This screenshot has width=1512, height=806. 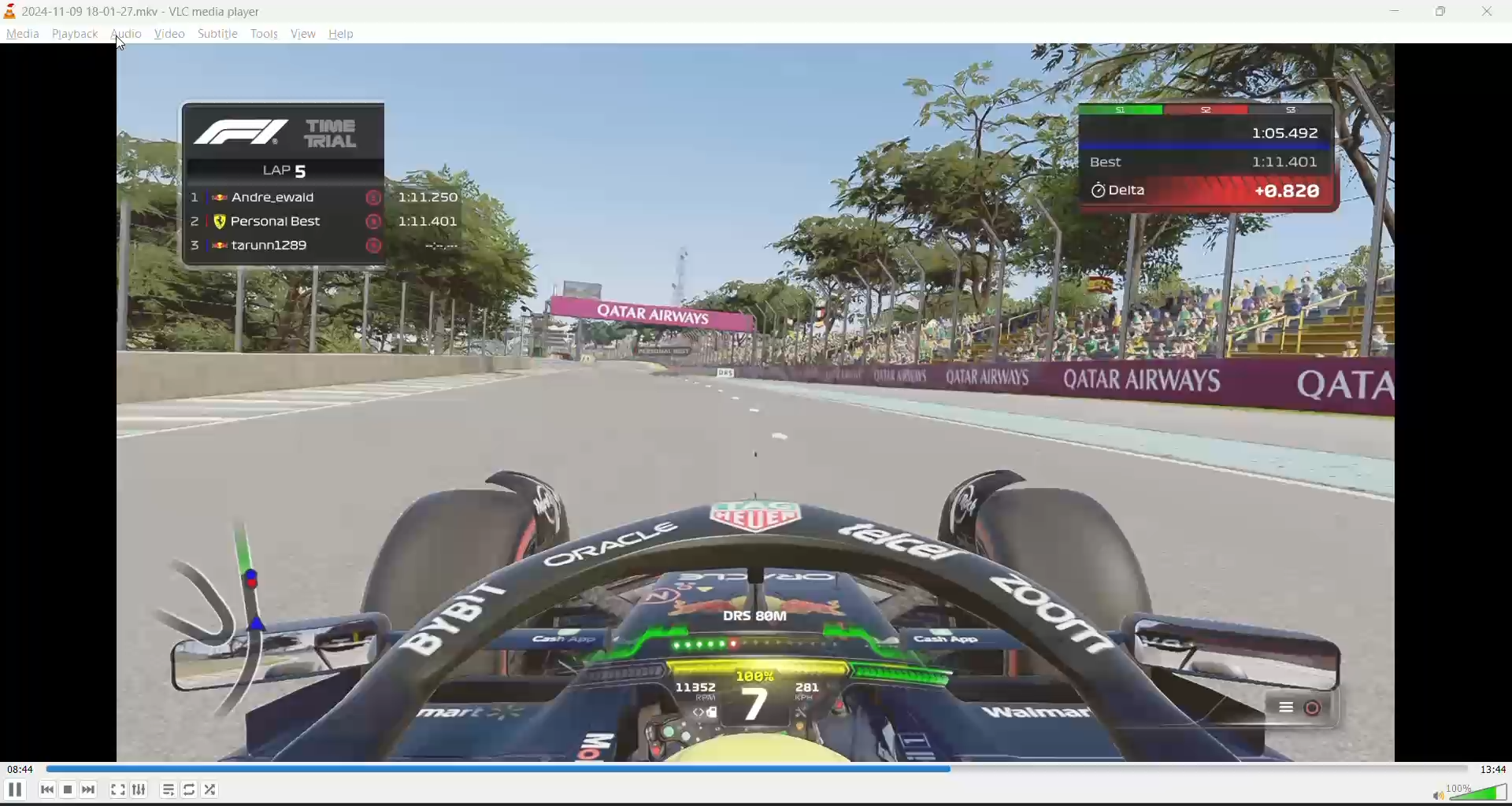 I want to click on view, so click(x=302, y=33).